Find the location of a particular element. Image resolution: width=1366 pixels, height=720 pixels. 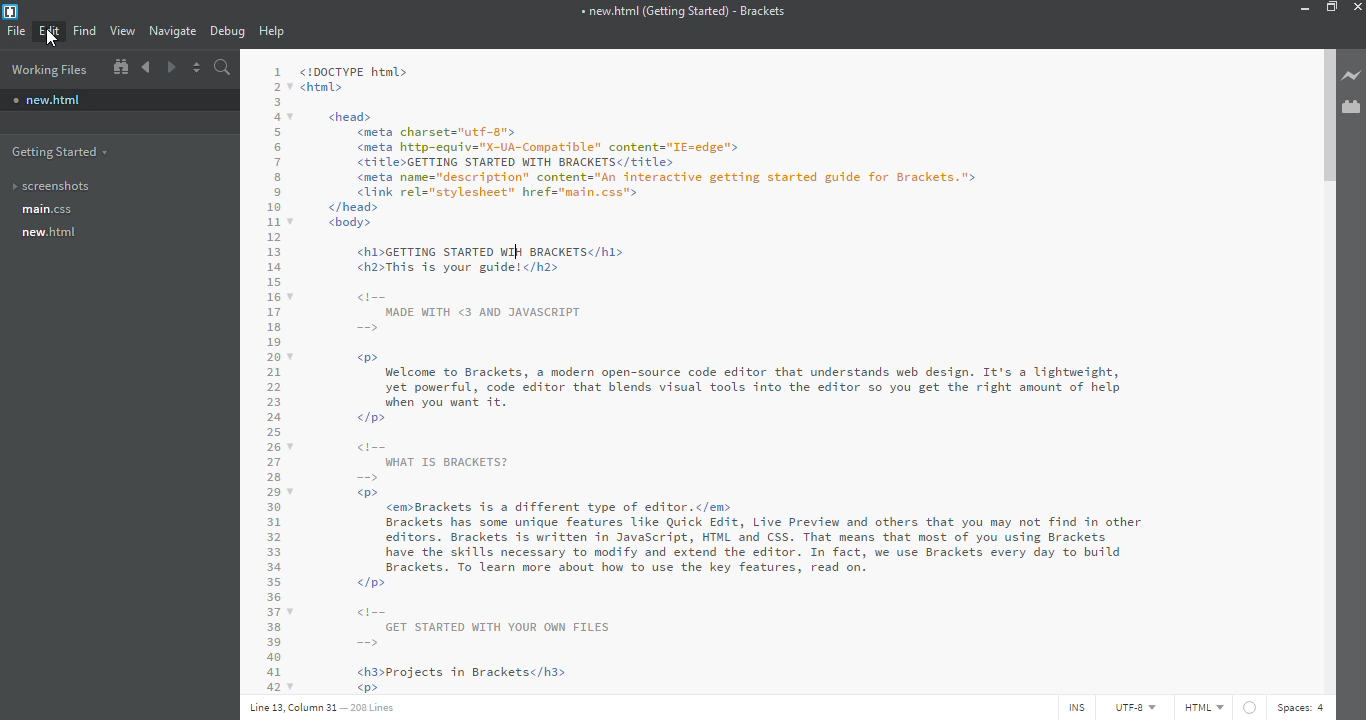

« new.htm!l (Getting Started) - Brackets is located at coordinates (683, 10).